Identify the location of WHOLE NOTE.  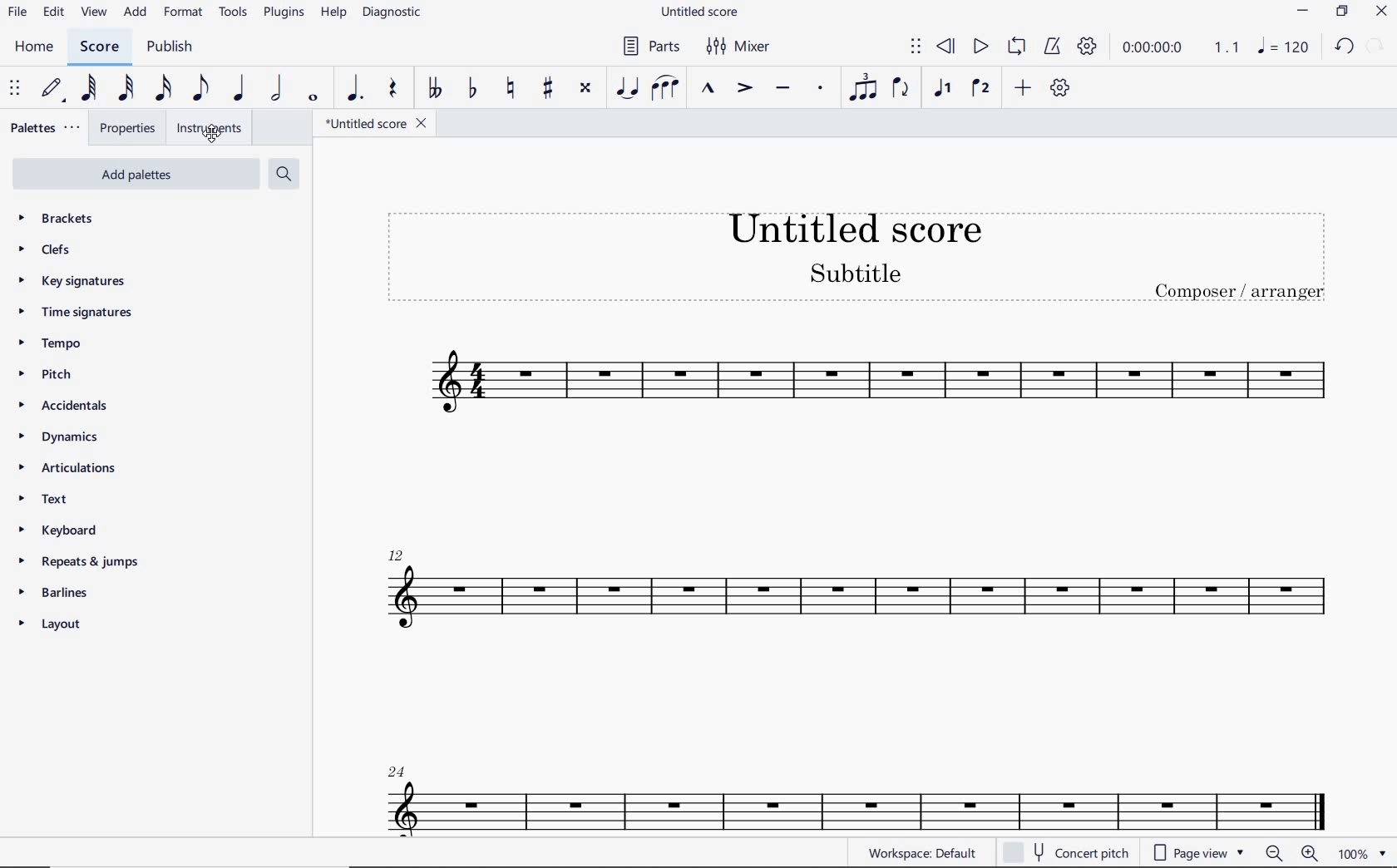
(314, 100).